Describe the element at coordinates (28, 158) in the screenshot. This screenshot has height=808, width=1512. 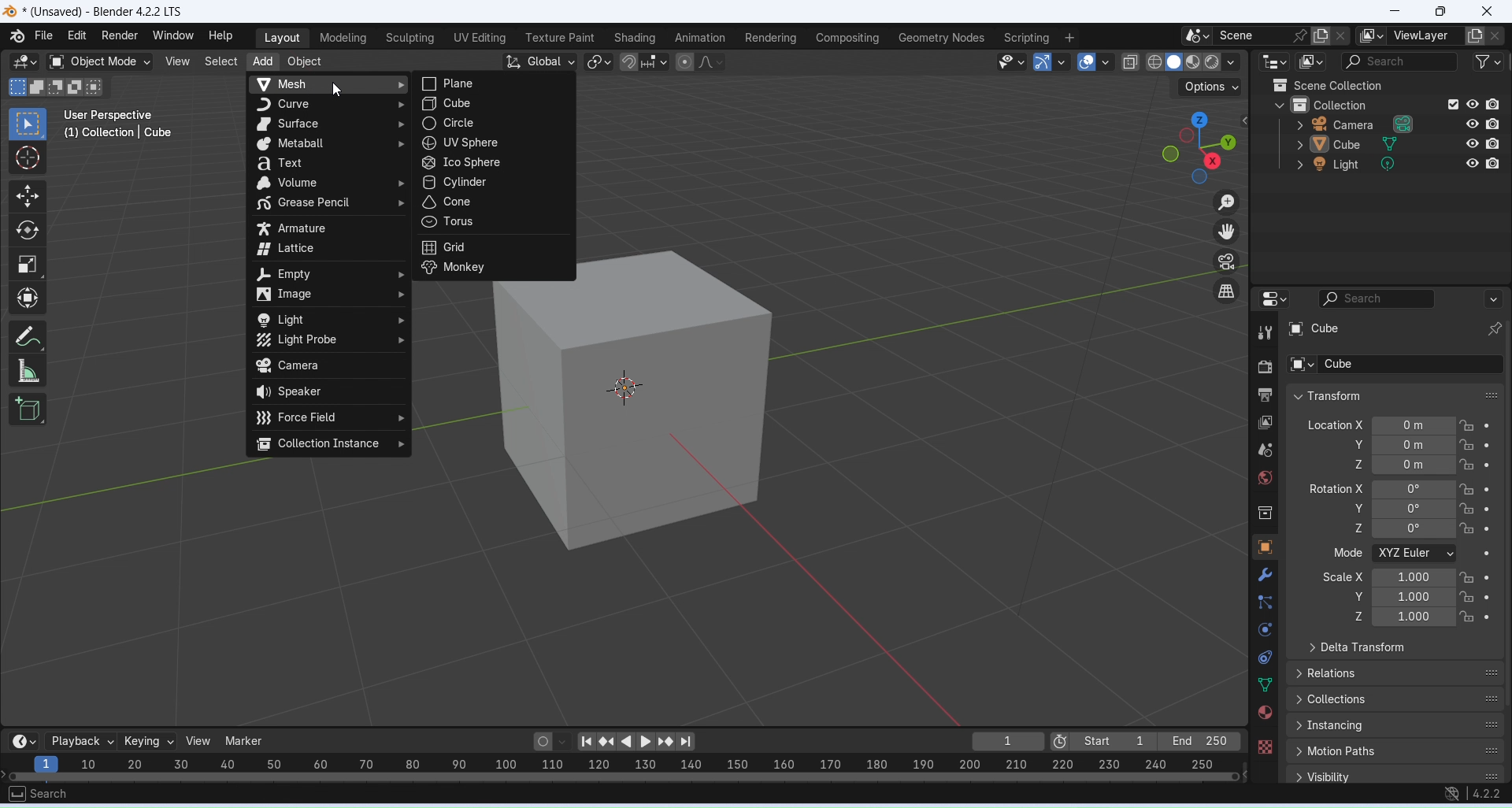
I see `Cursor` at that location.